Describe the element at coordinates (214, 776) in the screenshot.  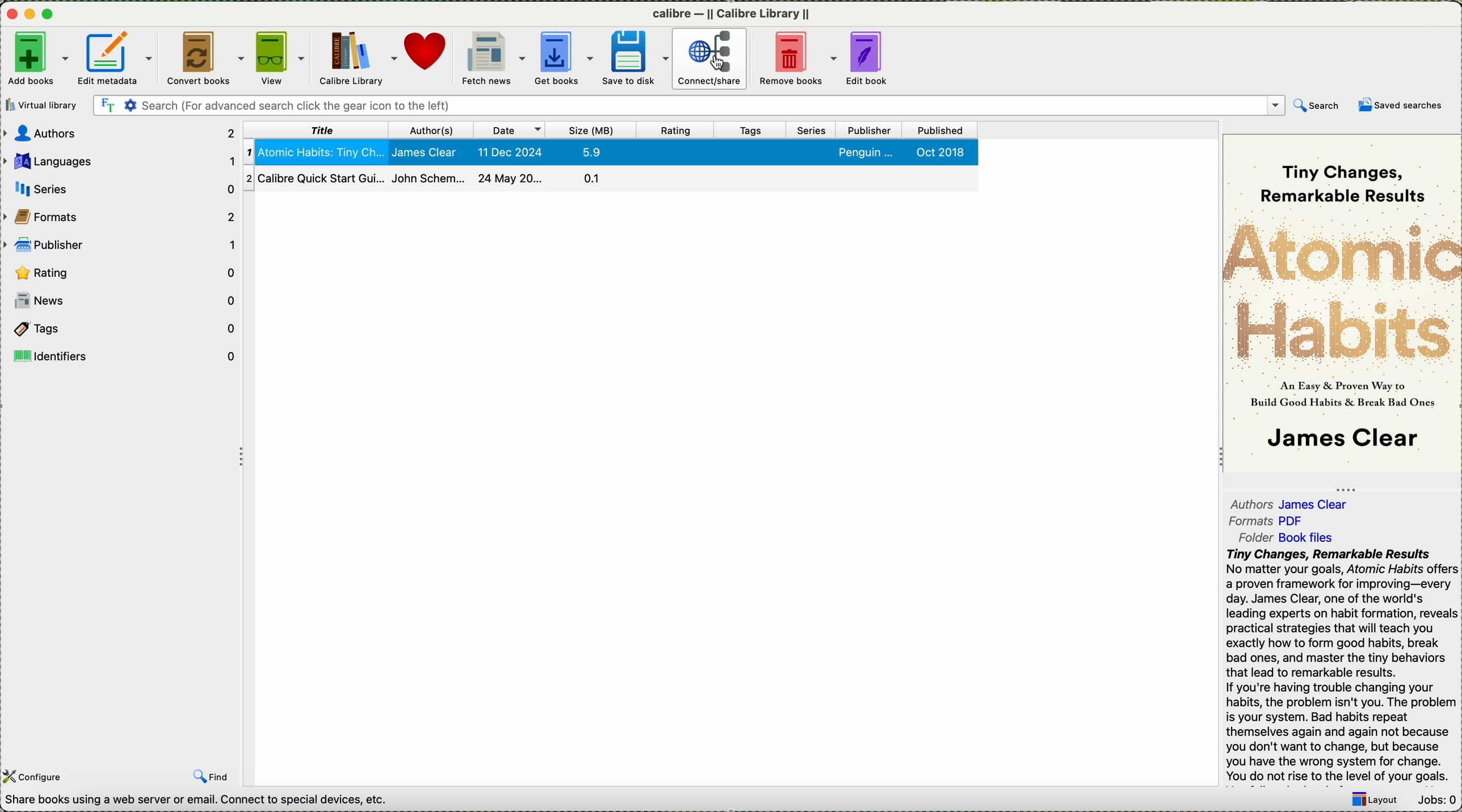
I see `find` at that location.